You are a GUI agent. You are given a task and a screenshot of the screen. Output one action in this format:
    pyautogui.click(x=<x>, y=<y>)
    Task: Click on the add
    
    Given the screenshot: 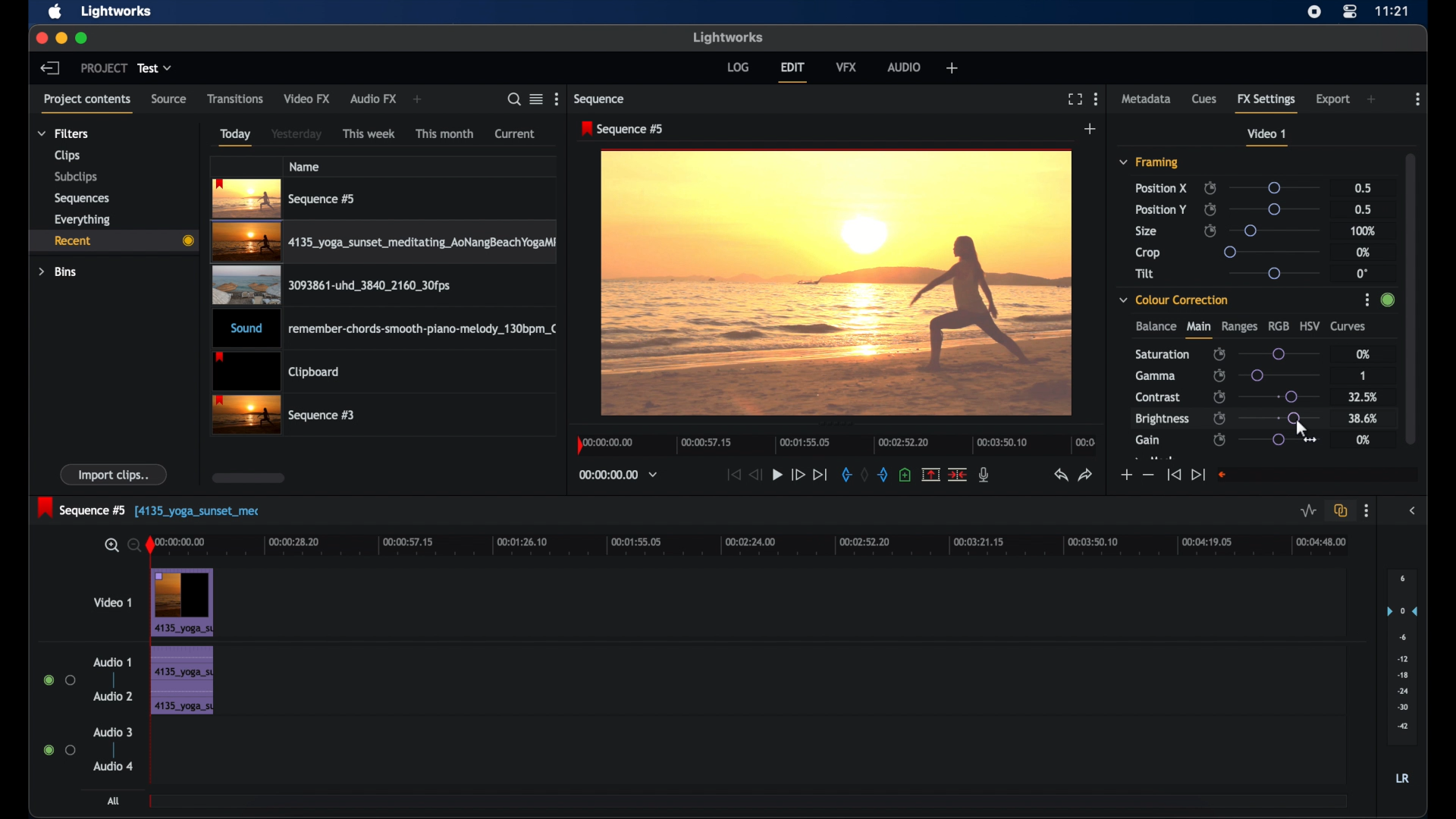 What is the action you would take?
    pyautogui.click(x=1373, y=99)
    